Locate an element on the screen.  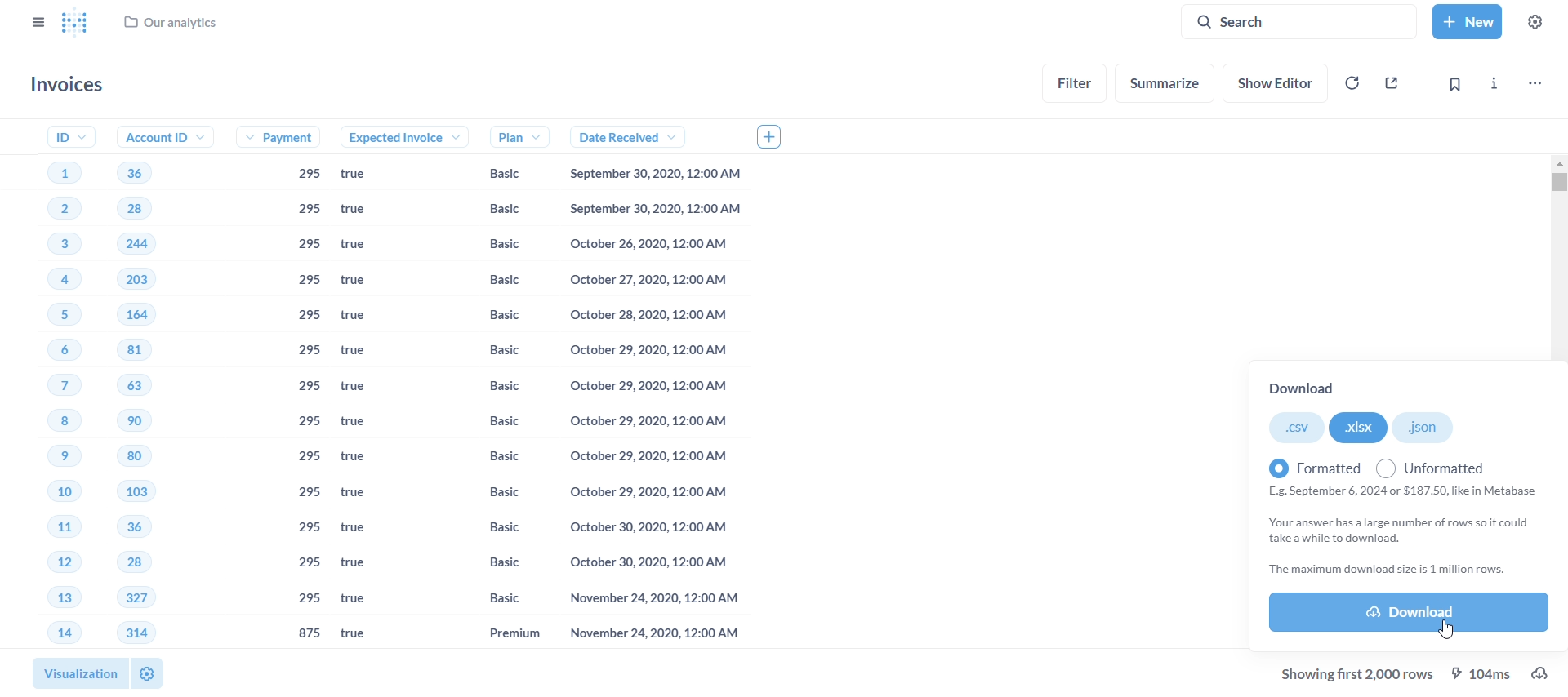
payment is located at coordinates (285, 139).